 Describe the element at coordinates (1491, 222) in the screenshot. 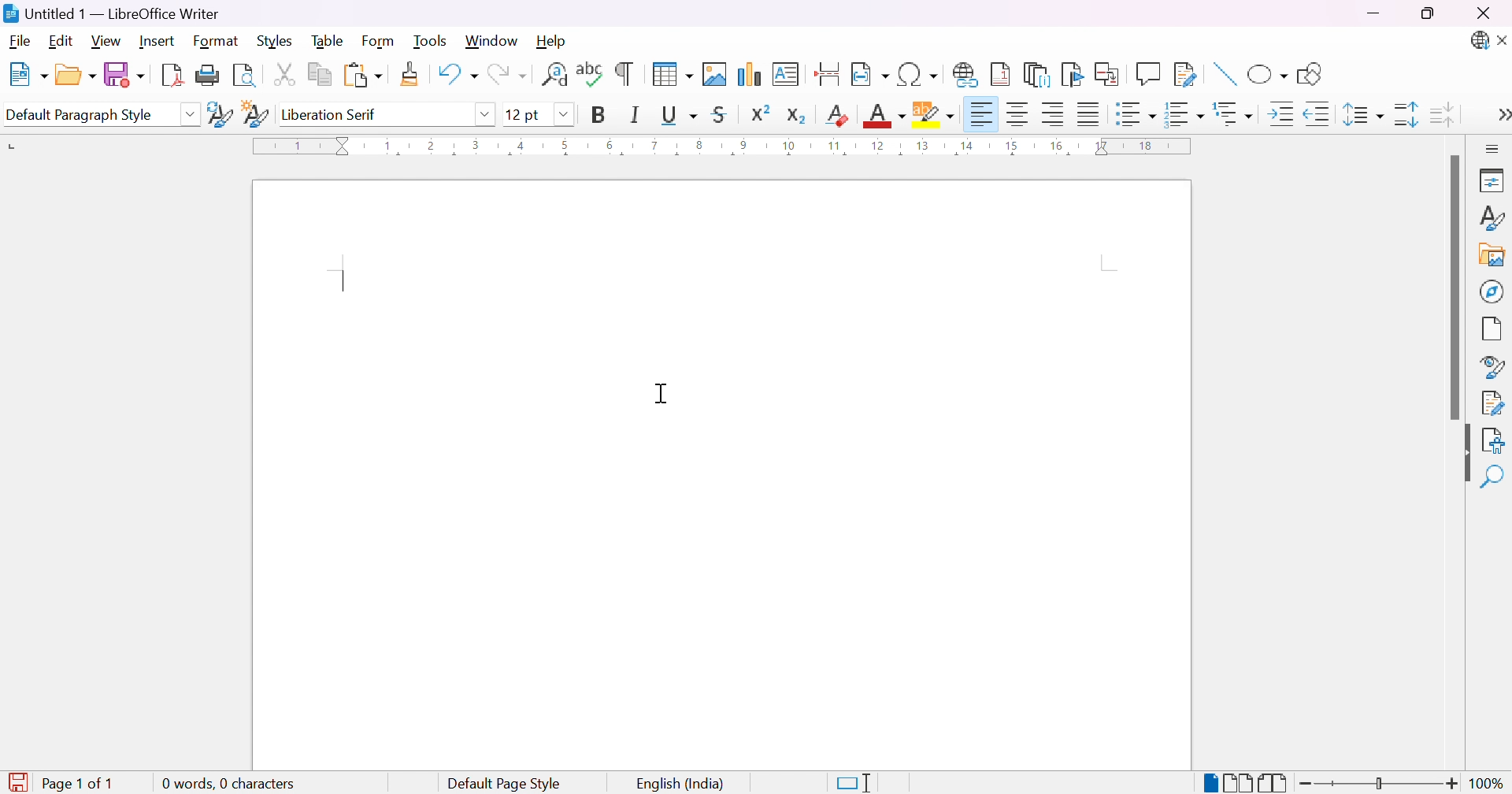

I see `Styles` at that location.